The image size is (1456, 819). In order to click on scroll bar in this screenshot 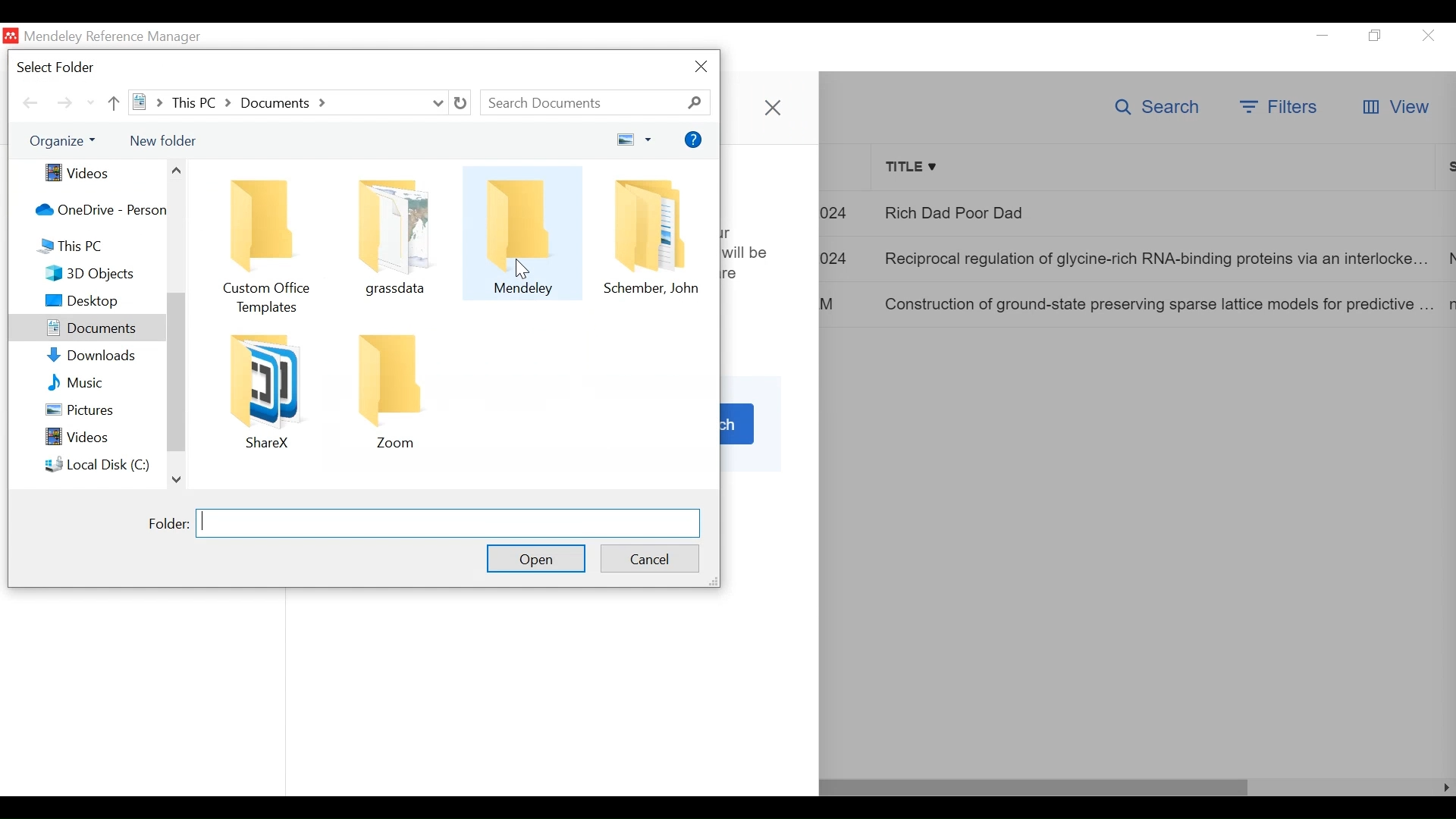, I will do `click(176, 372)`.